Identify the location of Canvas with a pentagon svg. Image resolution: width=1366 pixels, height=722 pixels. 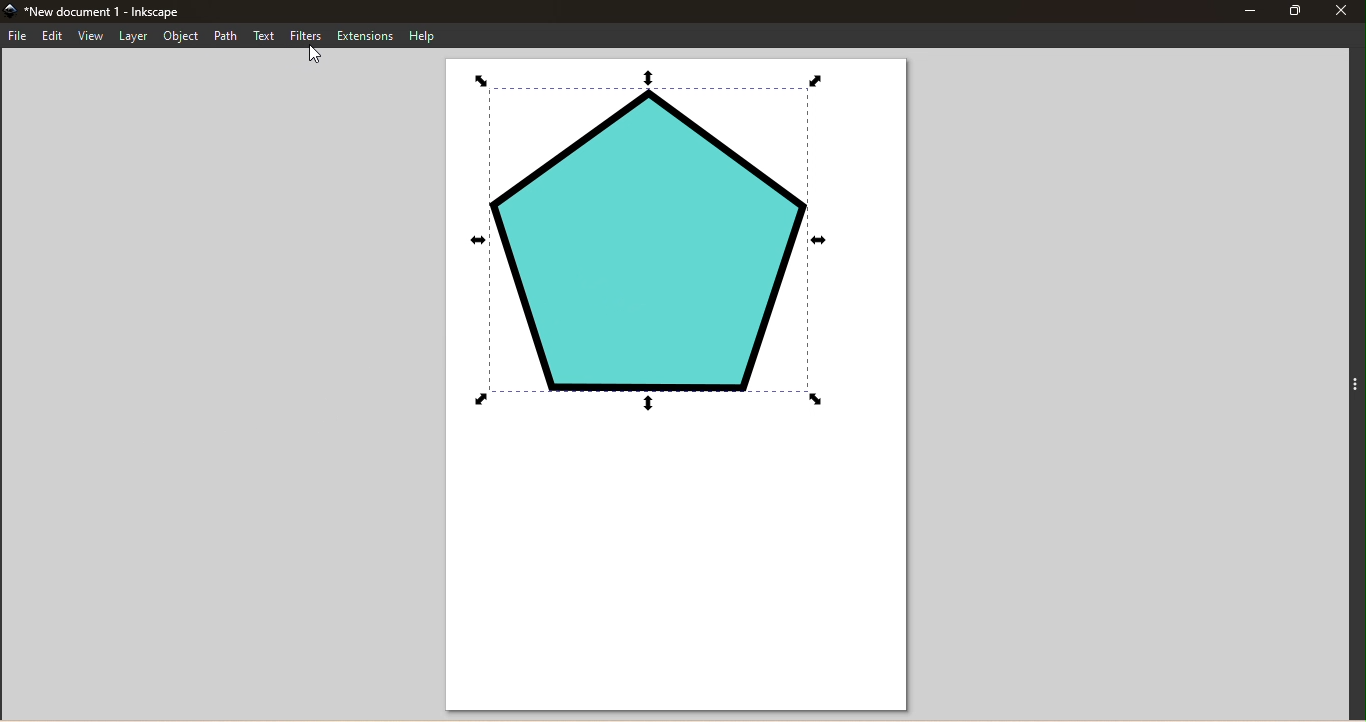
(672, 385).